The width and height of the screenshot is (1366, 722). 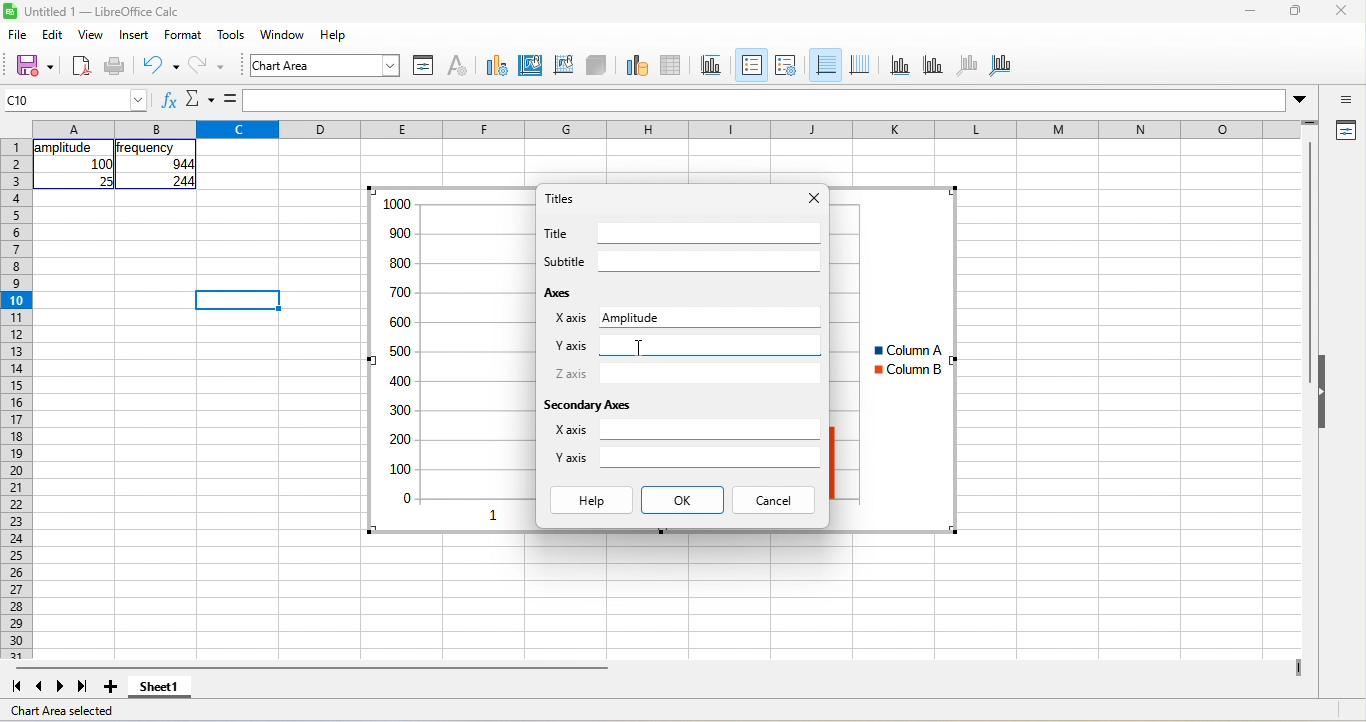 What do you see at coordinates (183, 181) in the screenshot?
I see `244` at bounding box center [183, 181].